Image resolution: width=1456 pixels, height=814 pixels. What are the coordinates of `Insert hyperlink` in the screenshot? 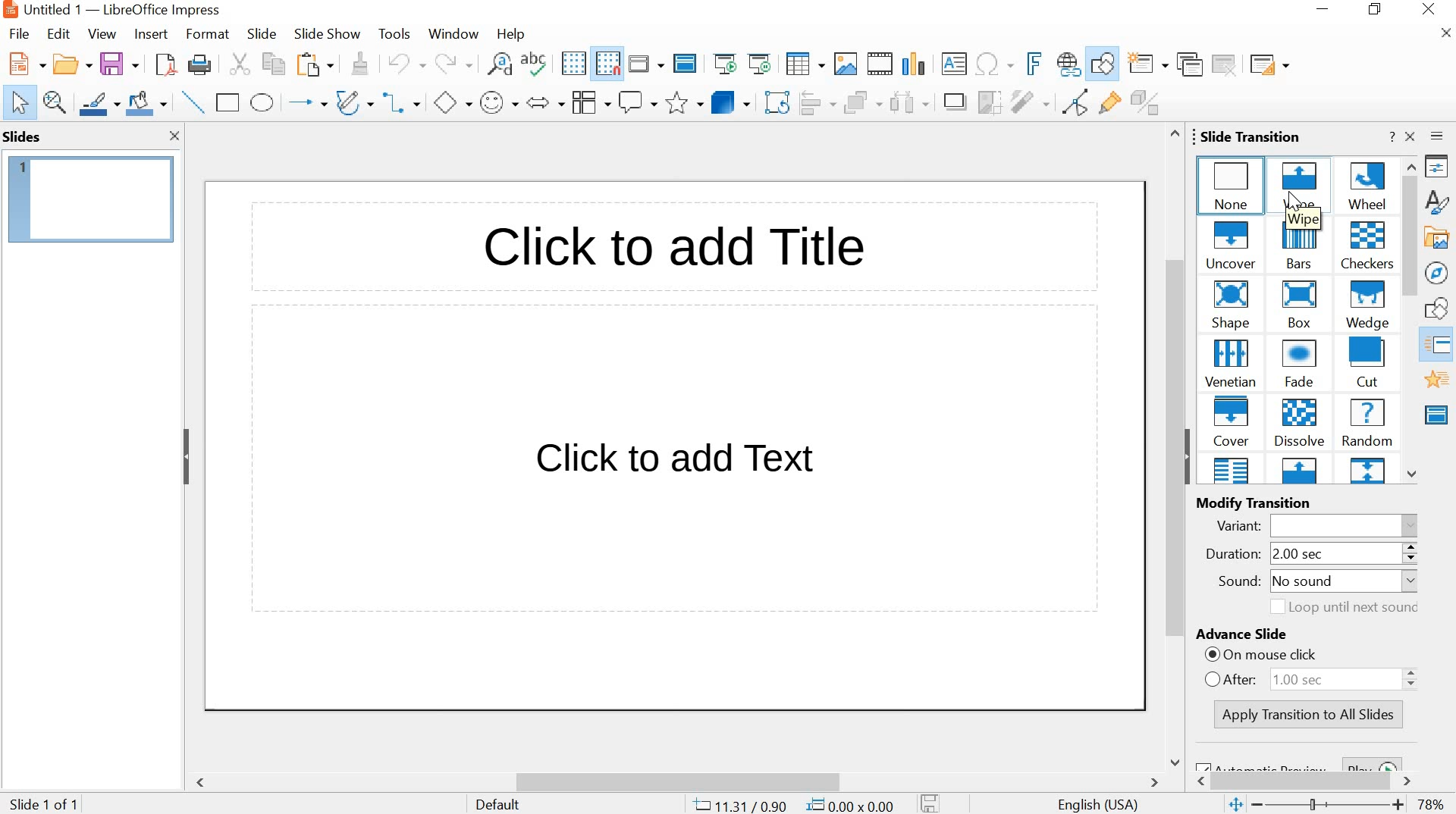 It's located at (1068, 65).